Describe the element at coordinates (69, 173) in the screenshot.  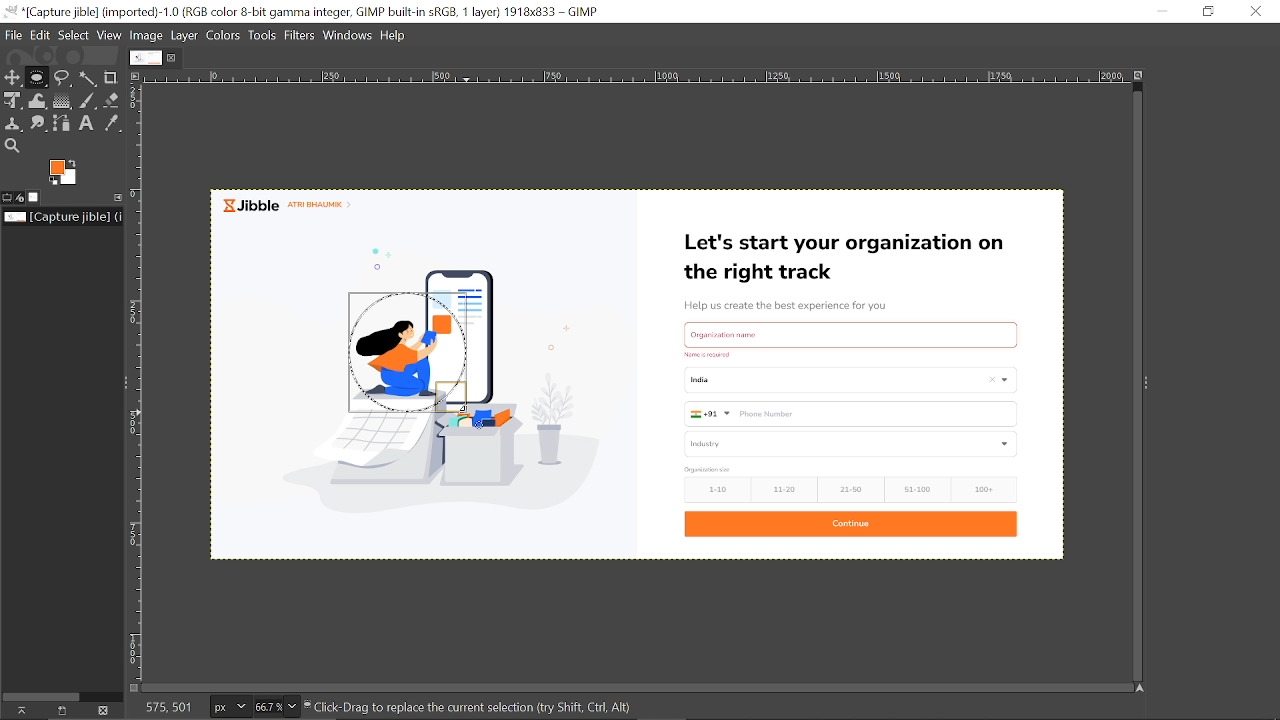
I see `The active background color` at that location.